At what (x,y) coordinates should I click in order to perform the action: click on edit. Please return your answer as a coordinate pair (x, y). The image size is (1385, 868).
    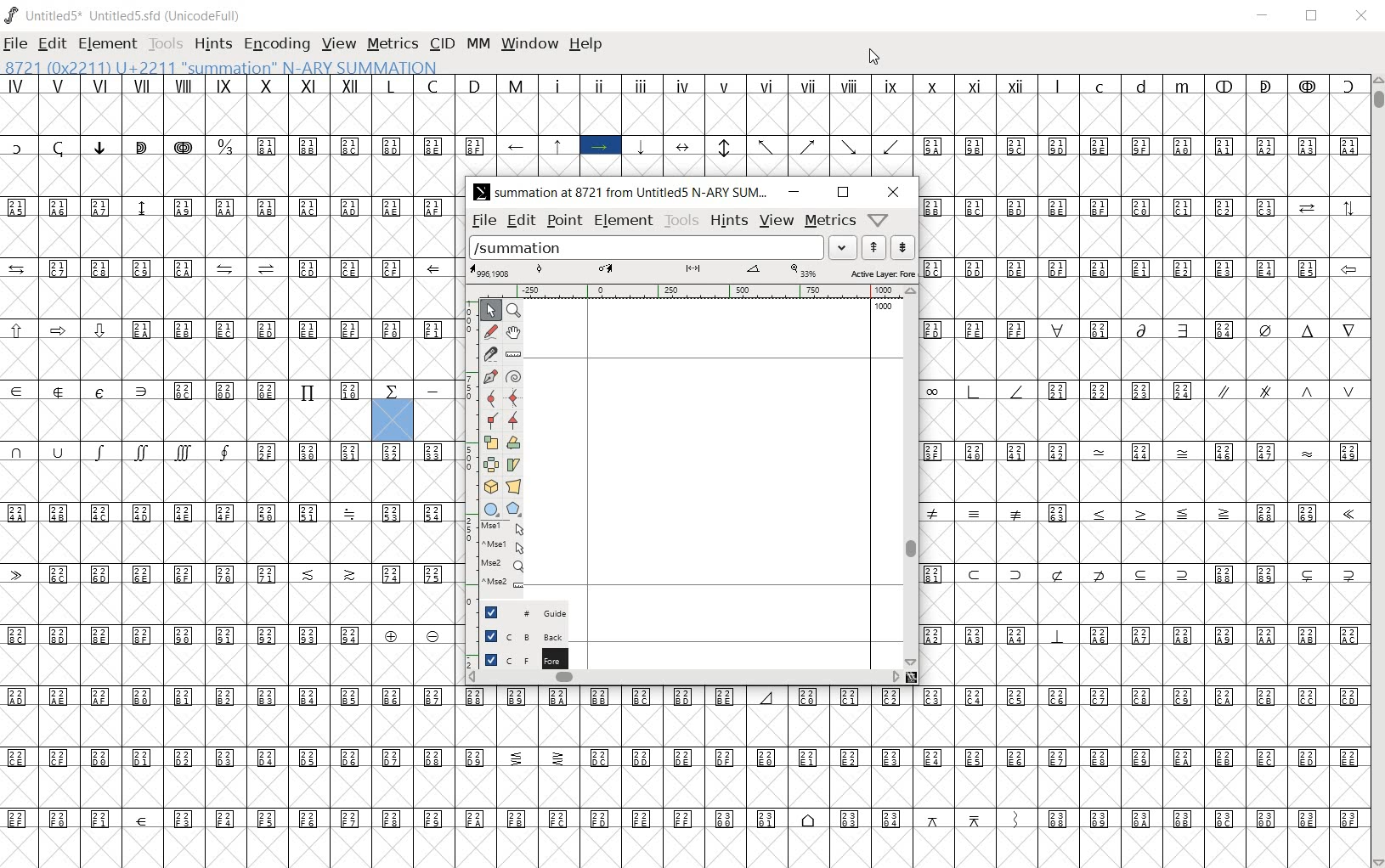
    Looking at the image, I should click on (519, 219).